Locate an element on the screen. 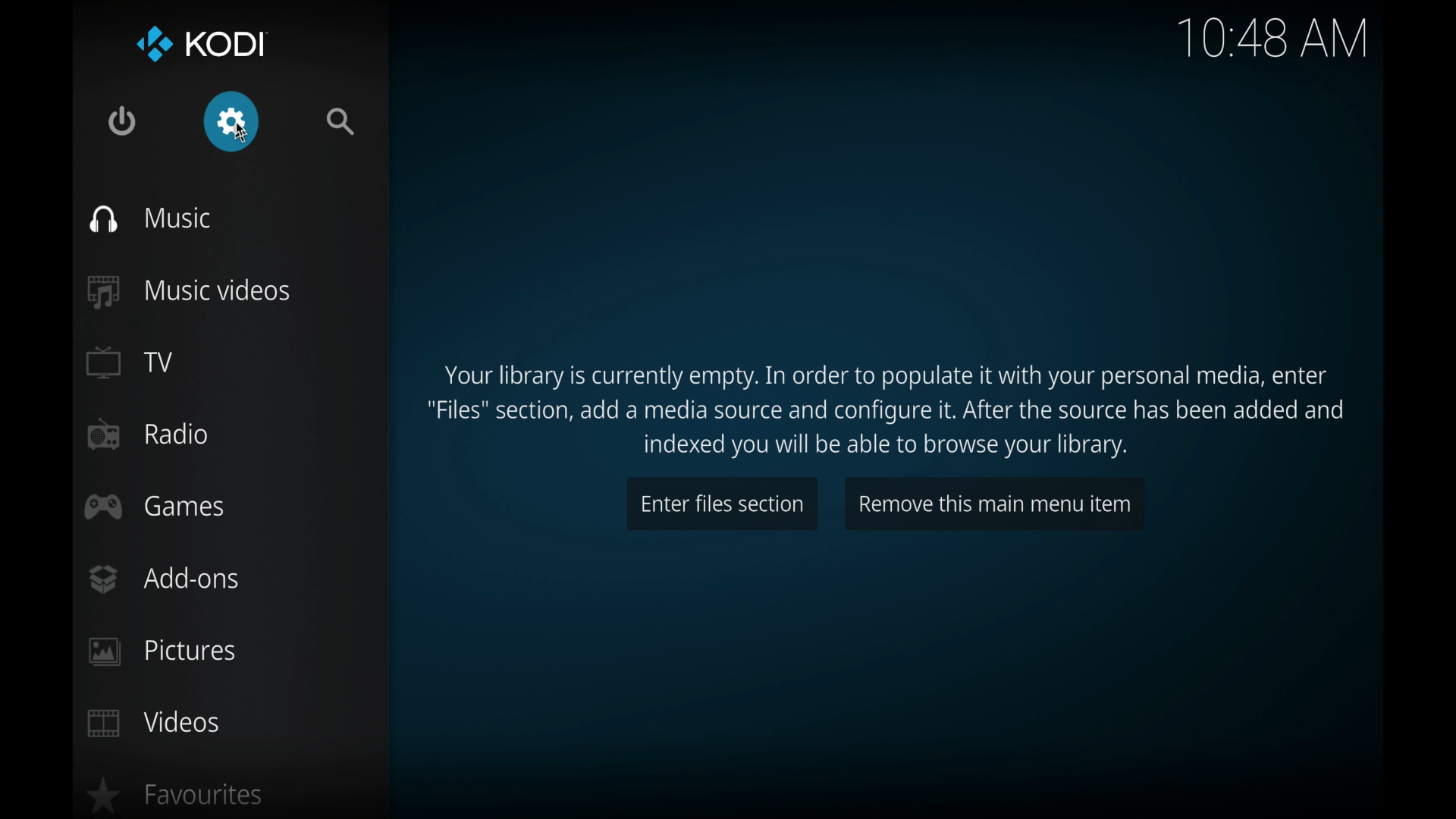 The width and height of the screenshot is (1456, 819). search is located at coordinates (340, 121).